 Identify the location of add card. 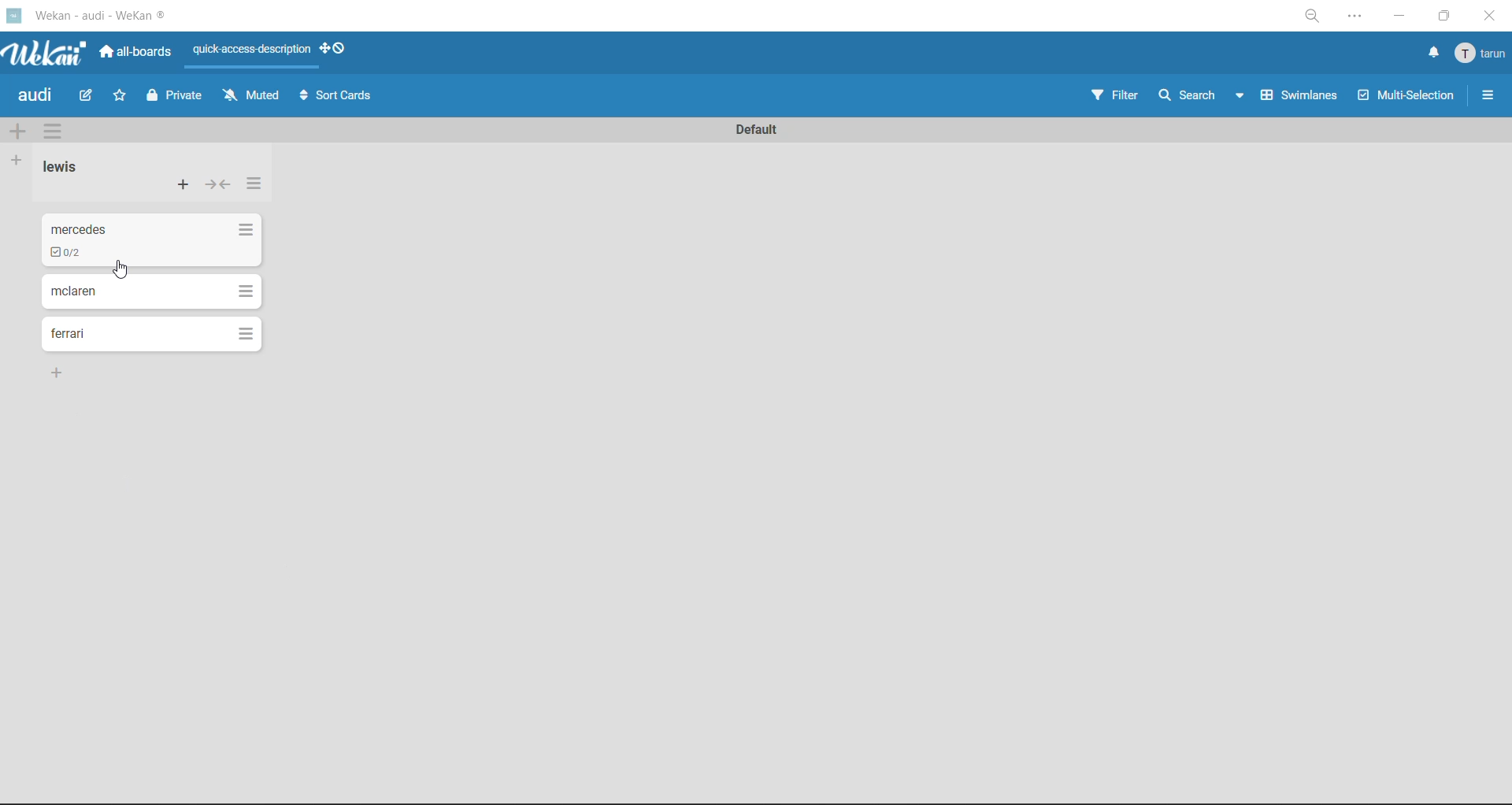
(180, 187).